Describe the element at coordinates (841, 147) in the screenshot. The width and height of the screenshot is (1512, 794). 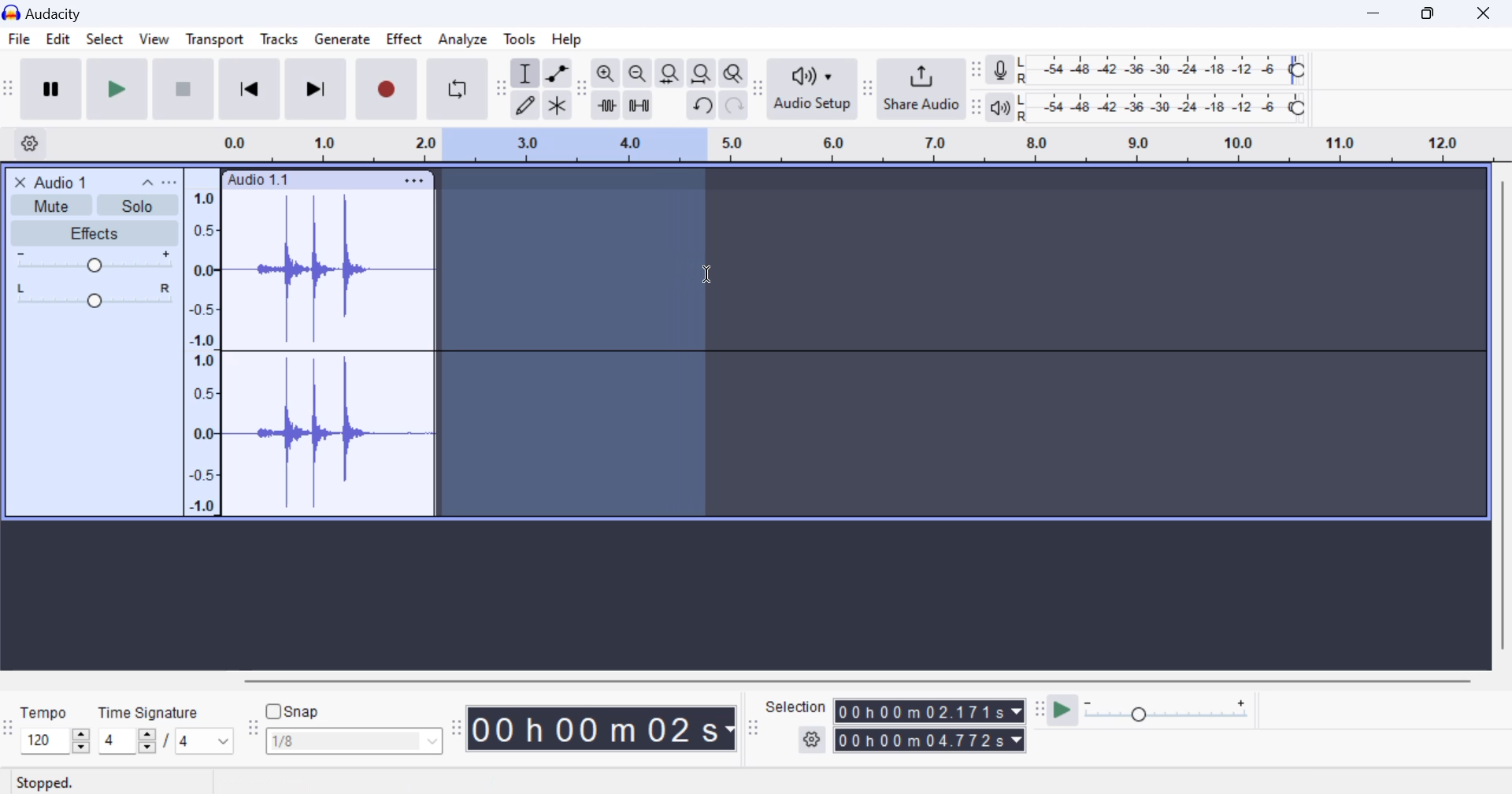
I see `Clip Timeline` at that location.